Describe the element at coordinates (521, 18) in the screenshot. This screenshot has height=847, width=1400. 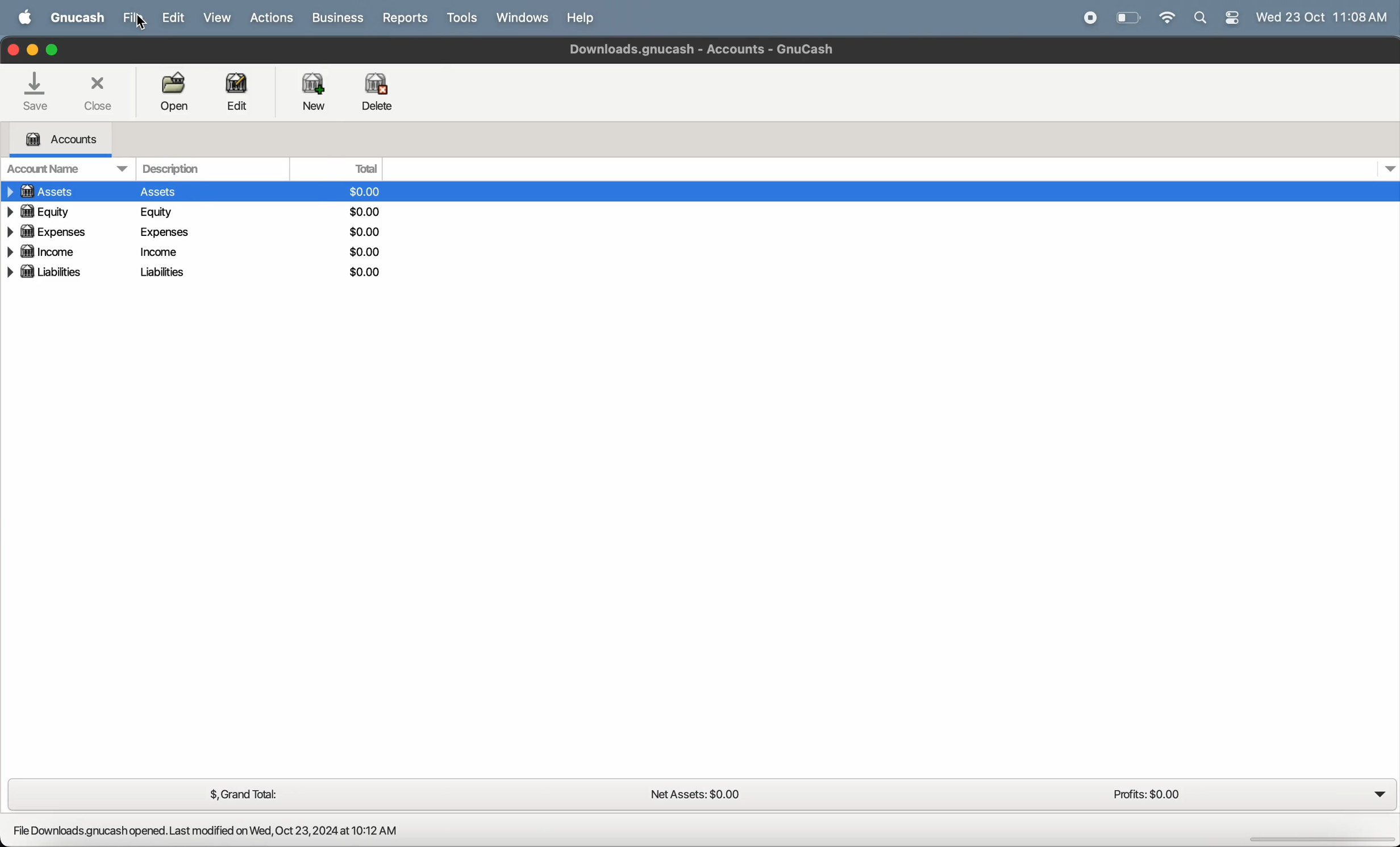
I see `windows` at that location.